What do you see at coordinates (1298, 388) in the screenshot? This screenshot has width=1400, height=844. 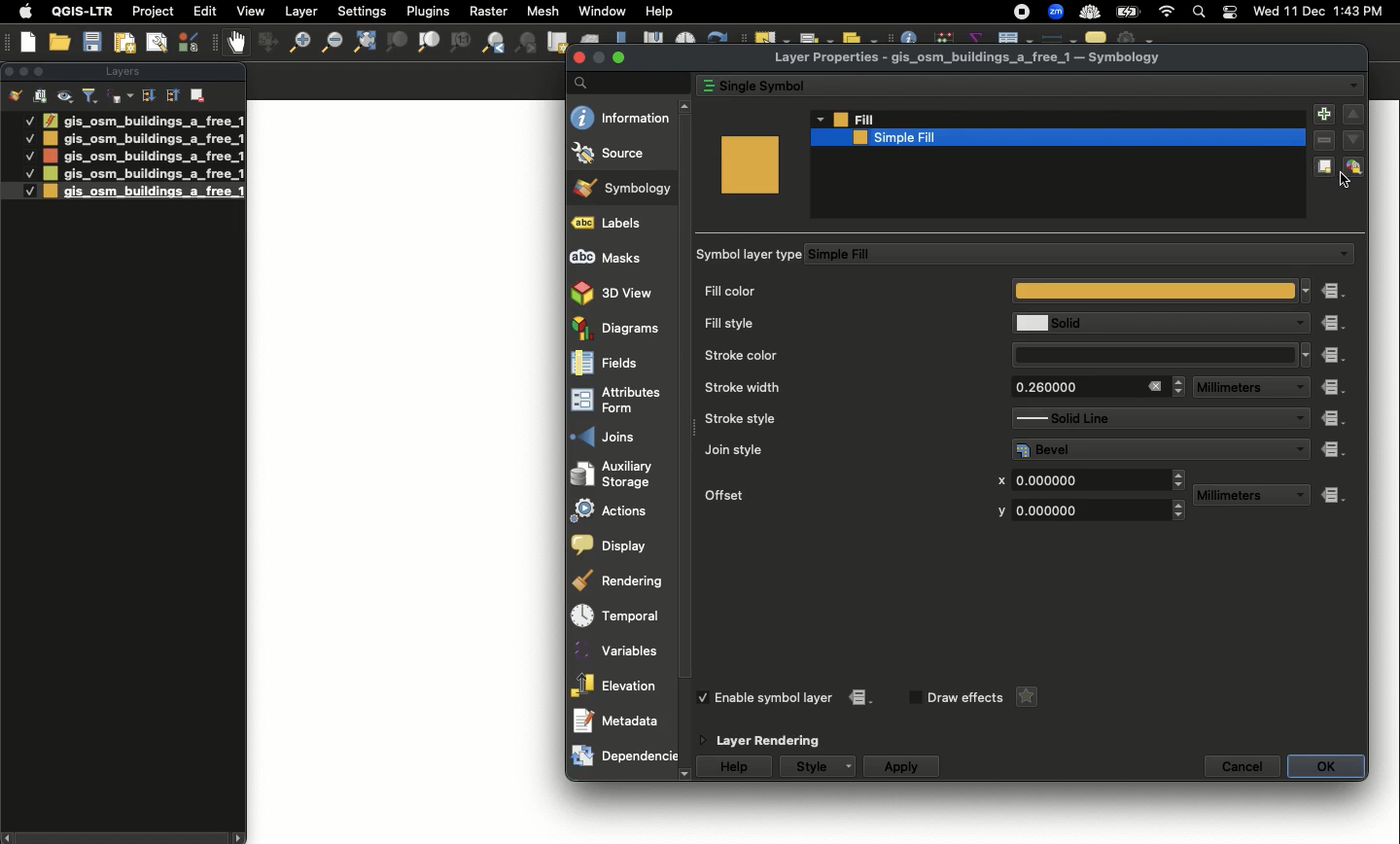 I see `Drop down` at bounding box center [1298, 388].